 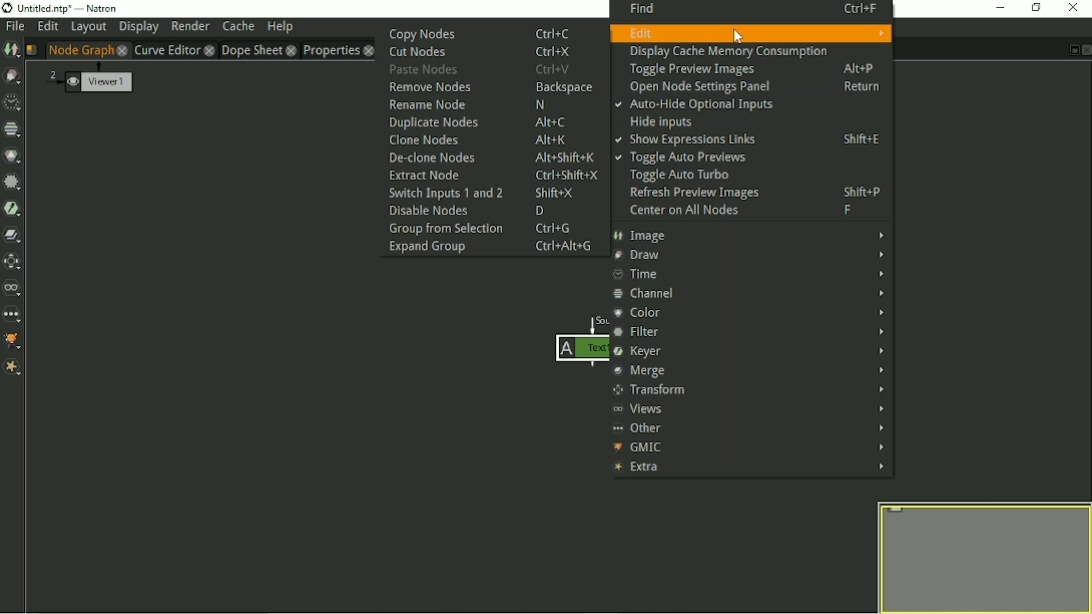 I want to click on Node Graph, so click(x=80, y=50).